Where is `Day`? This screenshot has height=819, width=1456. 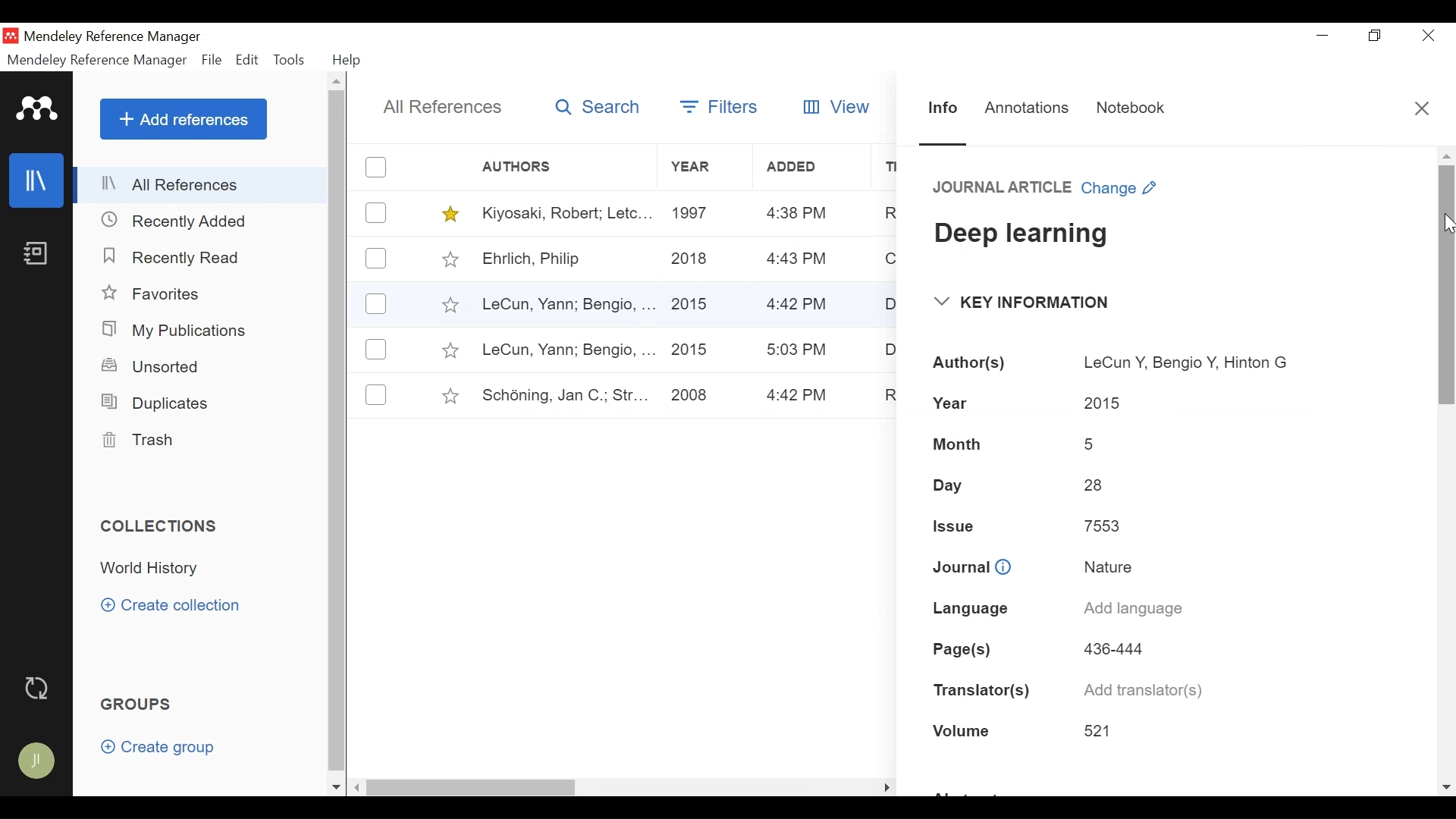 Day is located at coordinates (951, 484).